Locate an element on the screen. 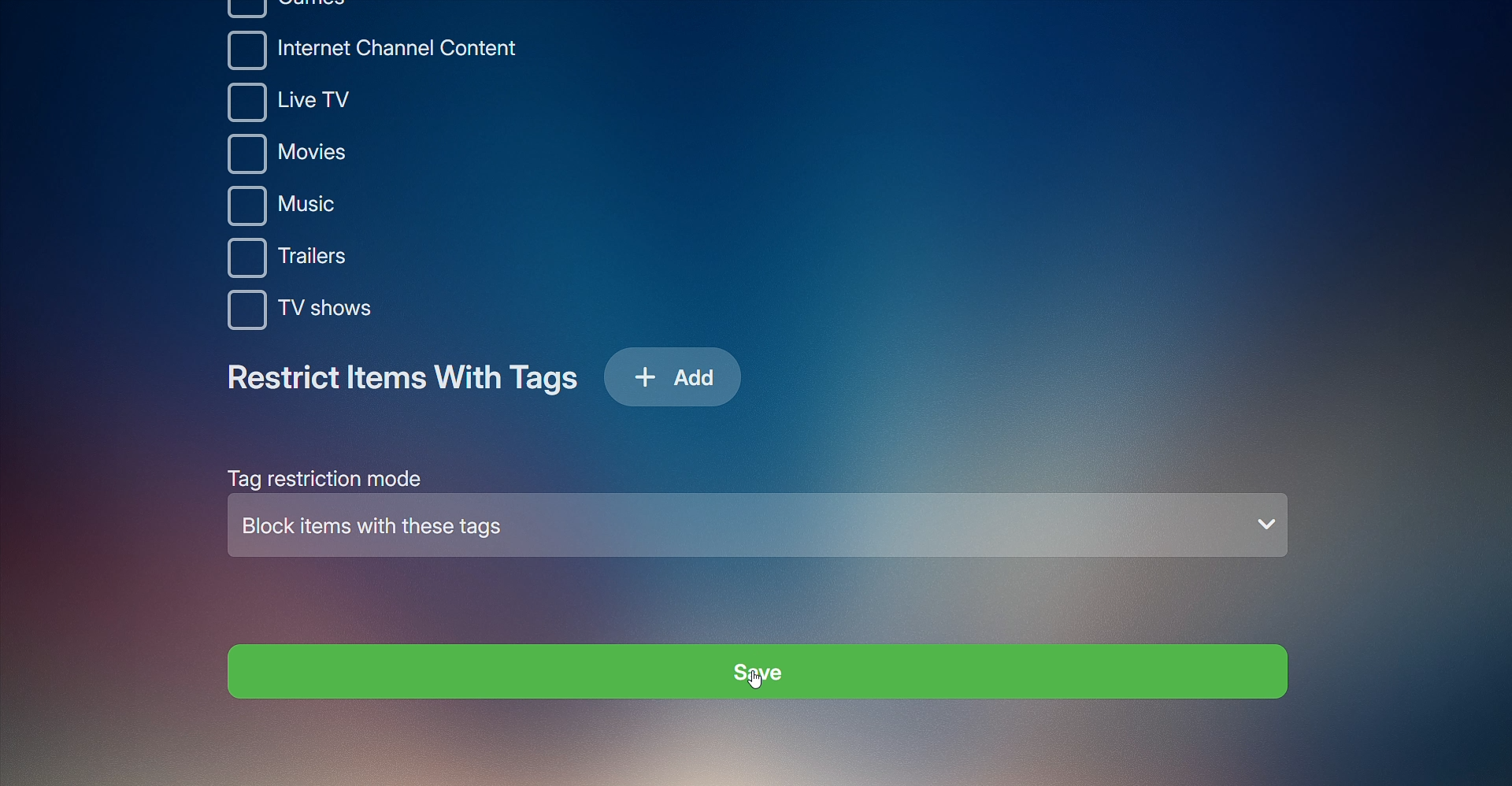 This screenshot has width=1512, height=786. TV shows is located at coordinates (317, 312).